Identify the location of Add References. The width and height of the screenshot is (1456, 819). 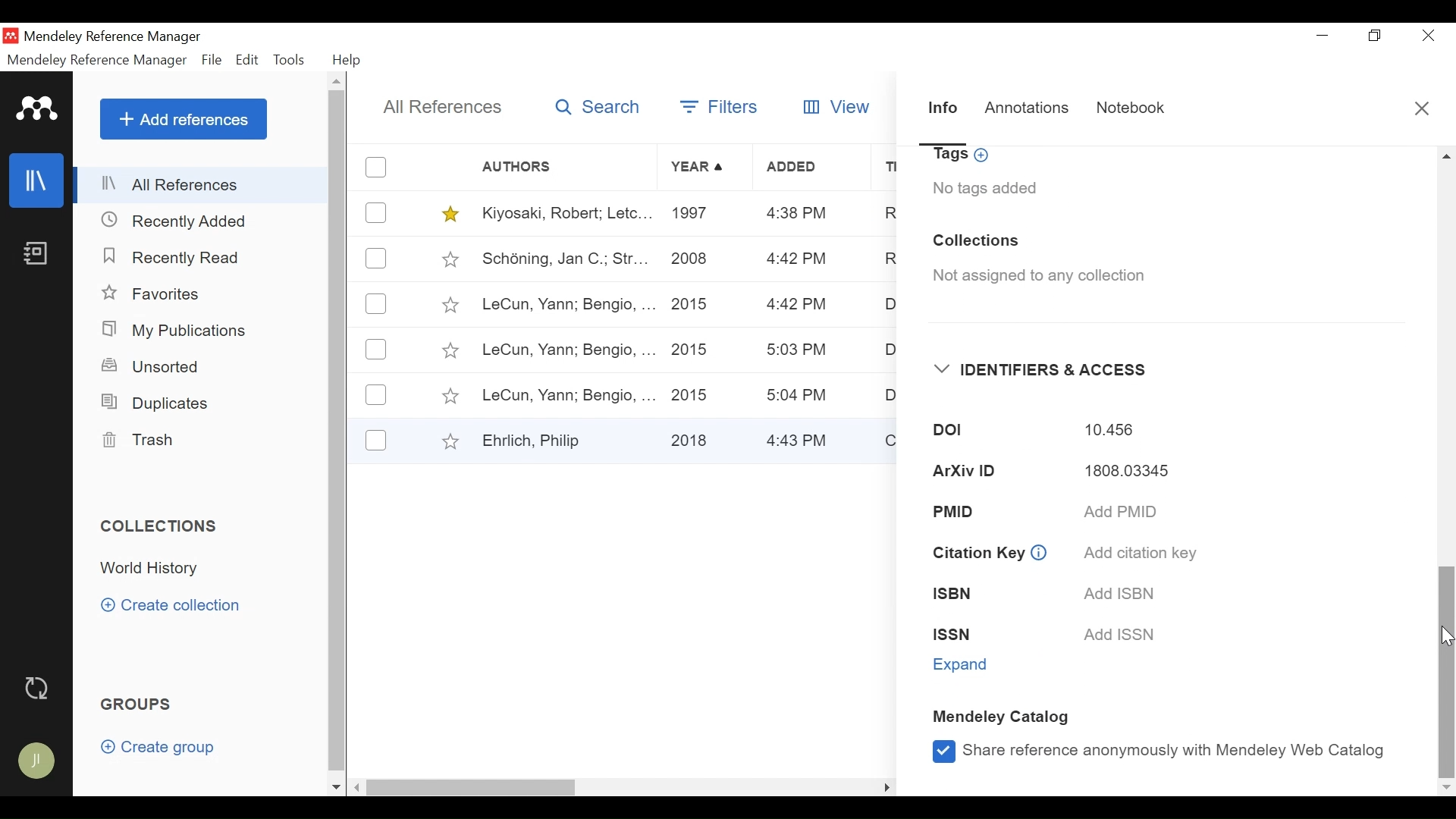
(183, 119).